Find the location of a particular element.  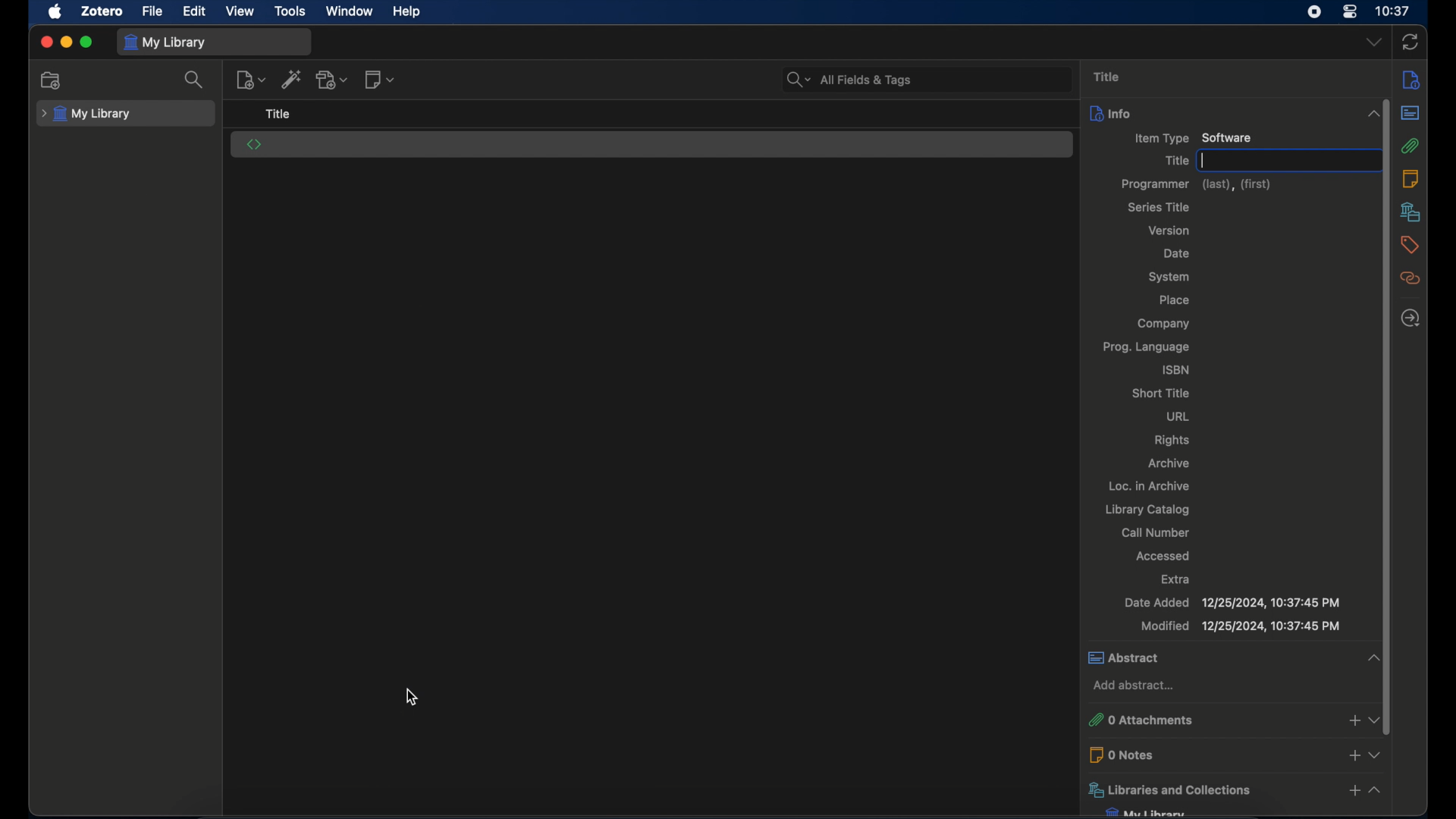

10.37 is located at coordinates (1393, 12).